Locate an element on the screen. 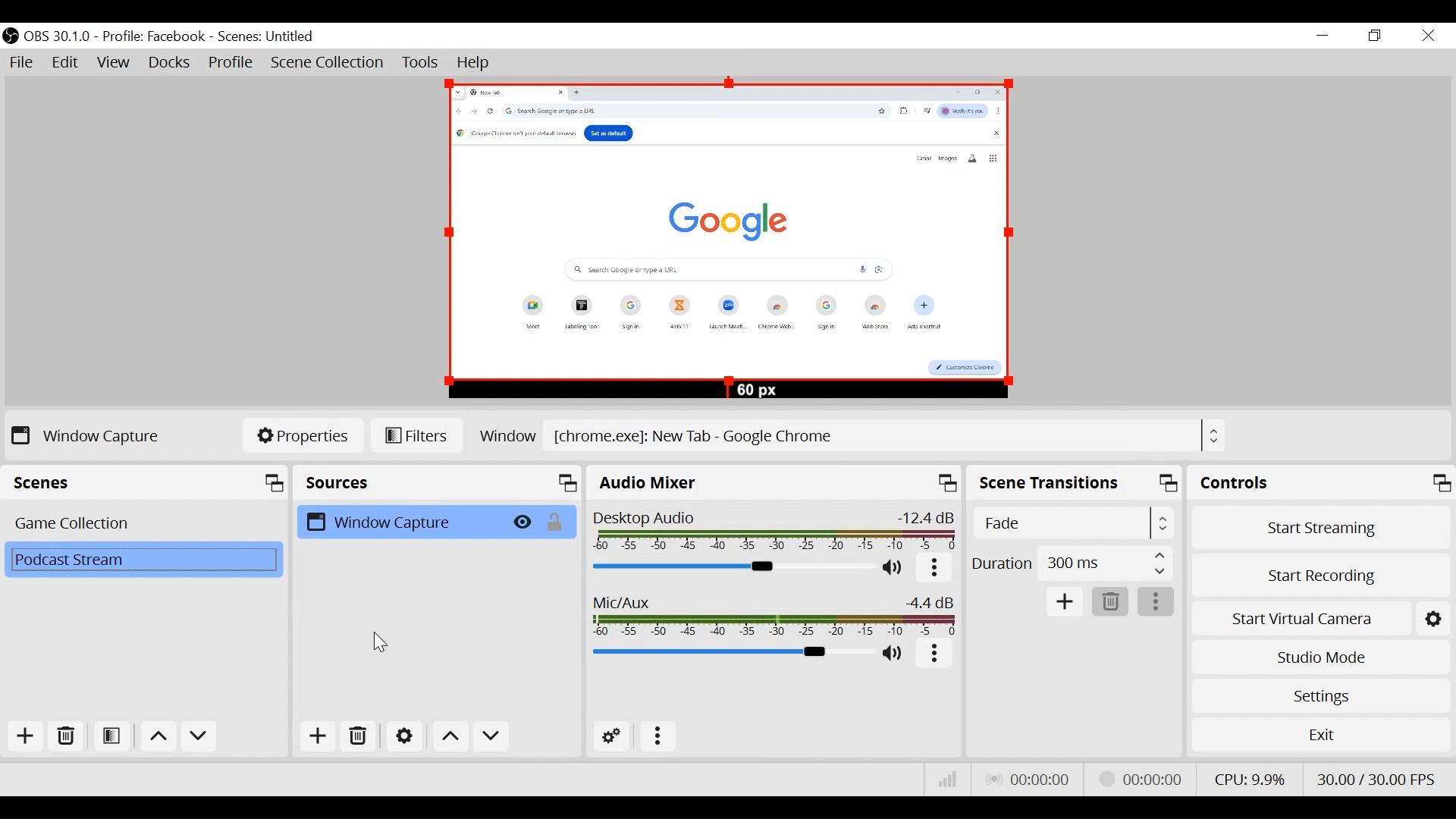 This screenshot has height=819, width=1456. Exit is located at coordinates (1321, 736).